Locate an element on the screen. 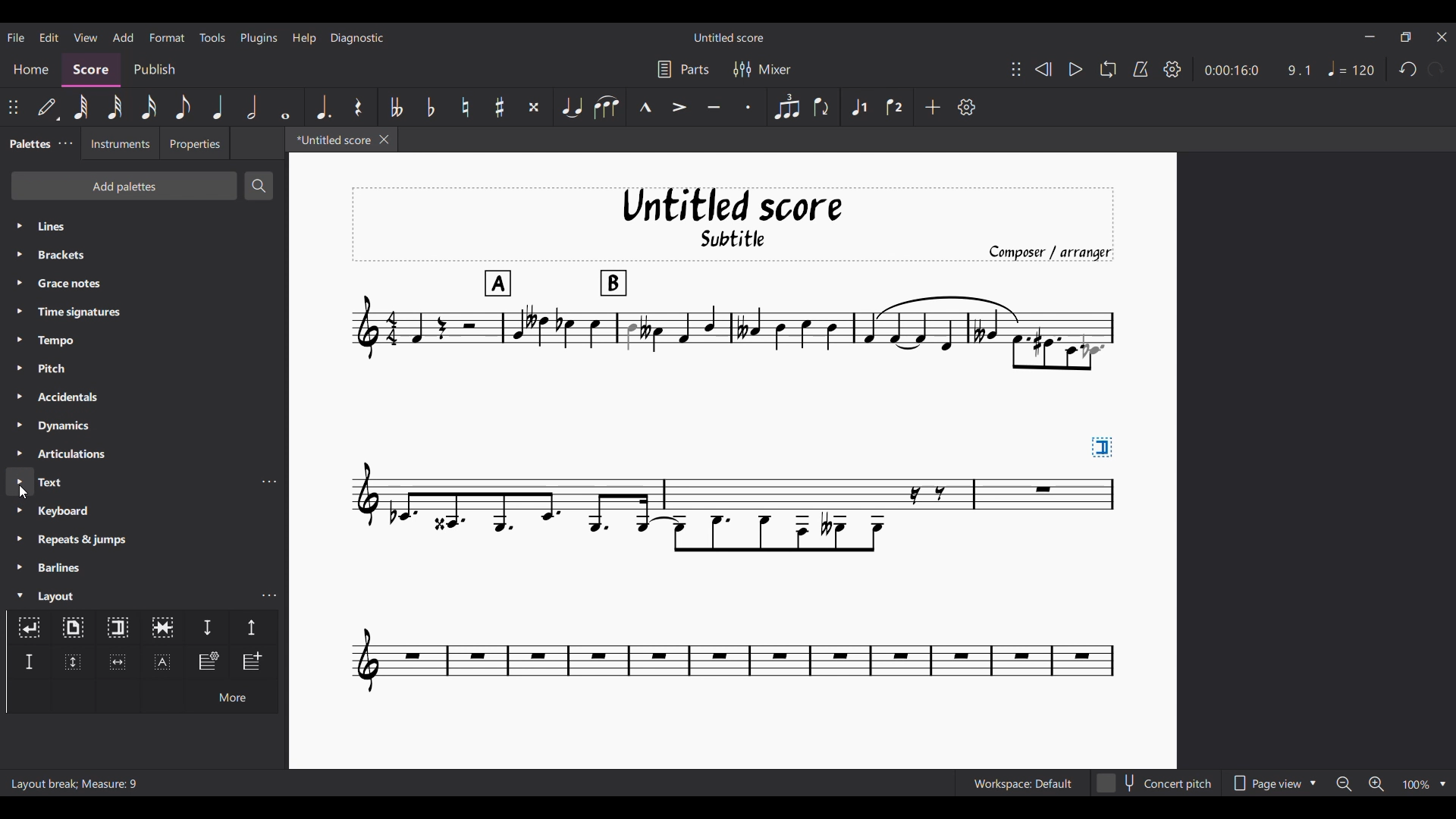 The width and height of the screenshot is (1456, 819). Toggle flat is located at coordinates (431, 107).